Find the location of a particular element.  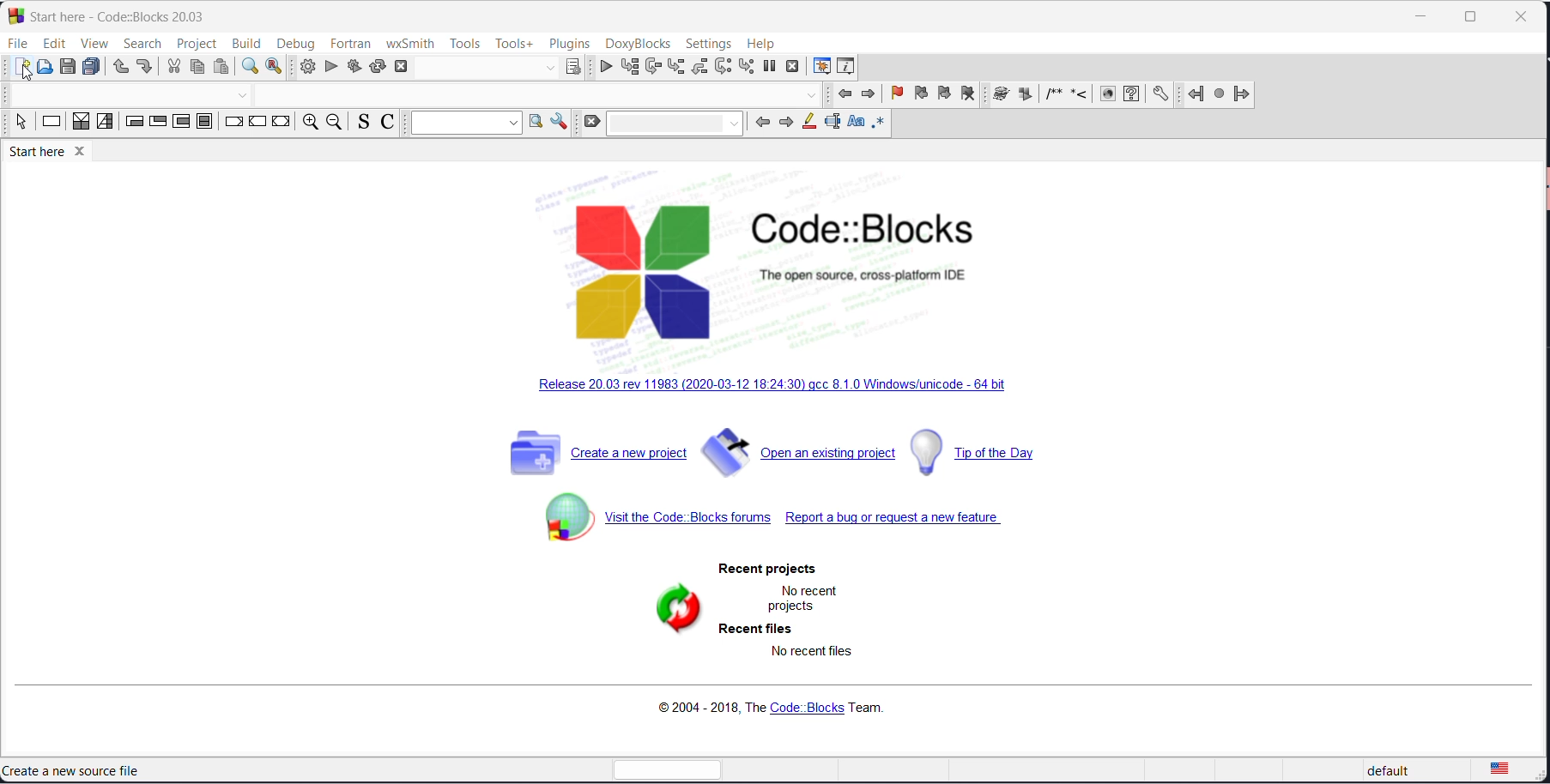

recent files is located at coordinates (759, 630).